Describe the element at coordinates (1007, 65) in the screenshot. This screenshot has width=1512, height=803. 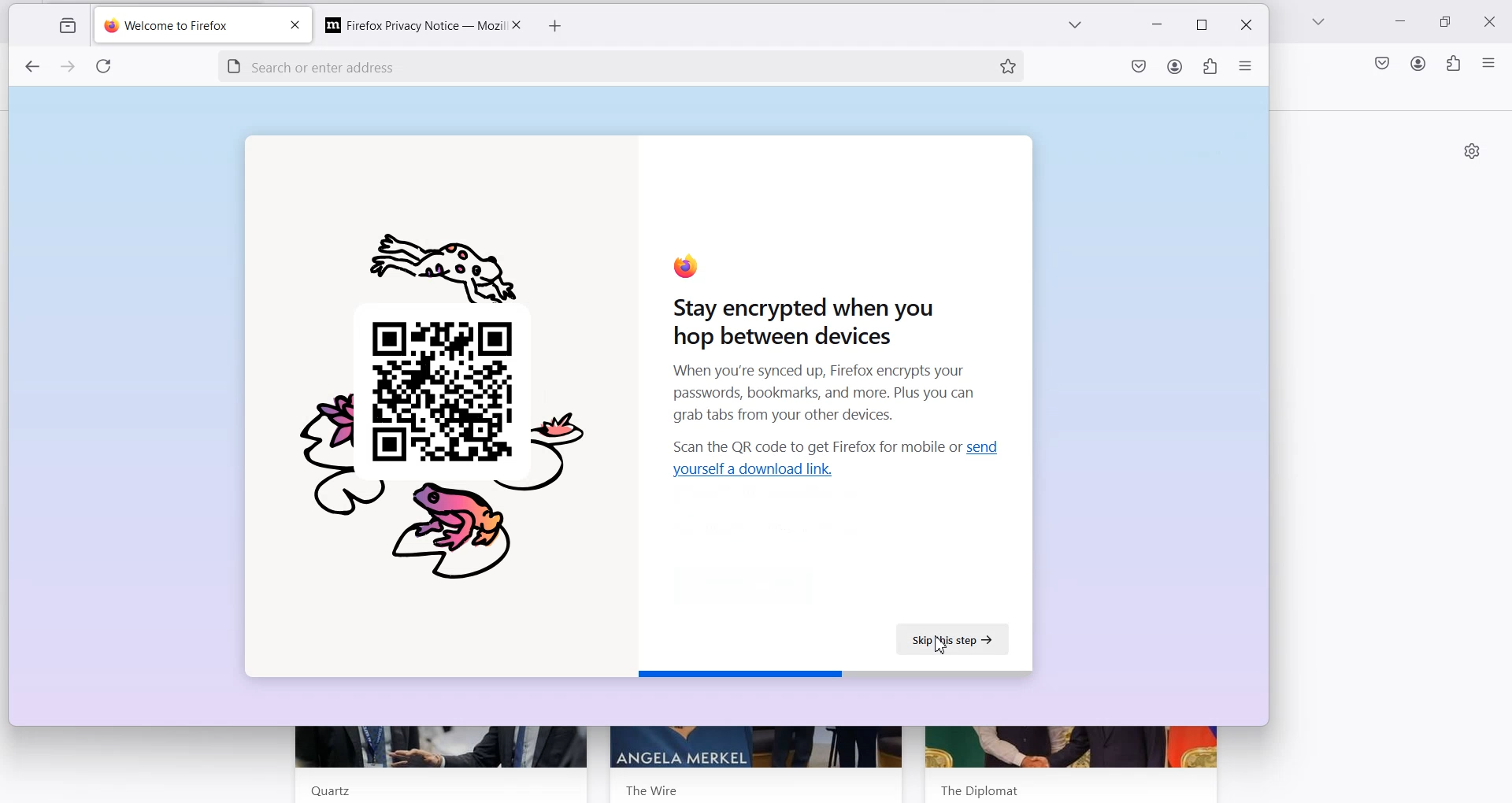
I see `Bookmark this page` at that location.